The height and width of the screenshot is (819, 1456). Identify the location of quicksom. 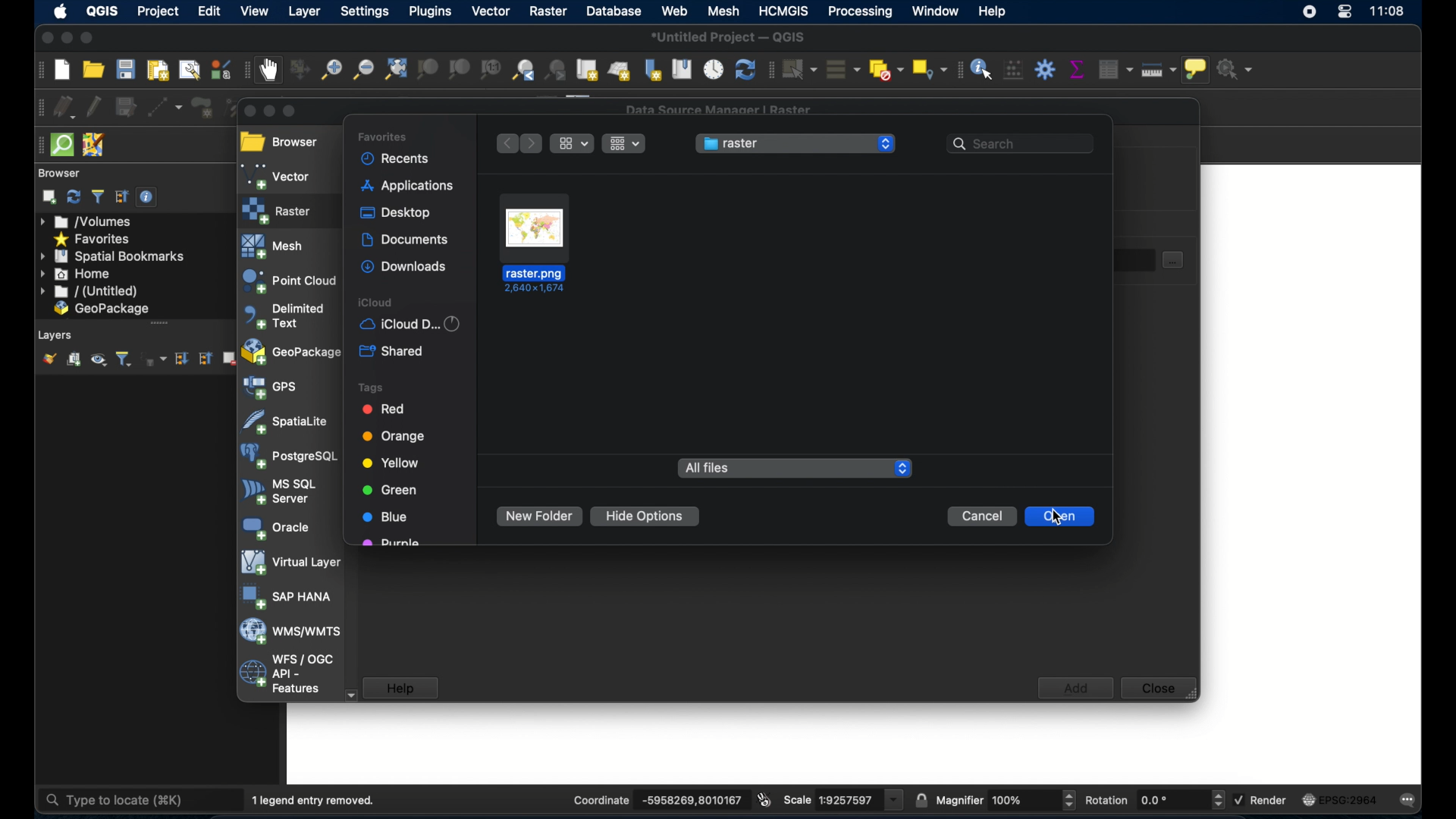
(62, 145).